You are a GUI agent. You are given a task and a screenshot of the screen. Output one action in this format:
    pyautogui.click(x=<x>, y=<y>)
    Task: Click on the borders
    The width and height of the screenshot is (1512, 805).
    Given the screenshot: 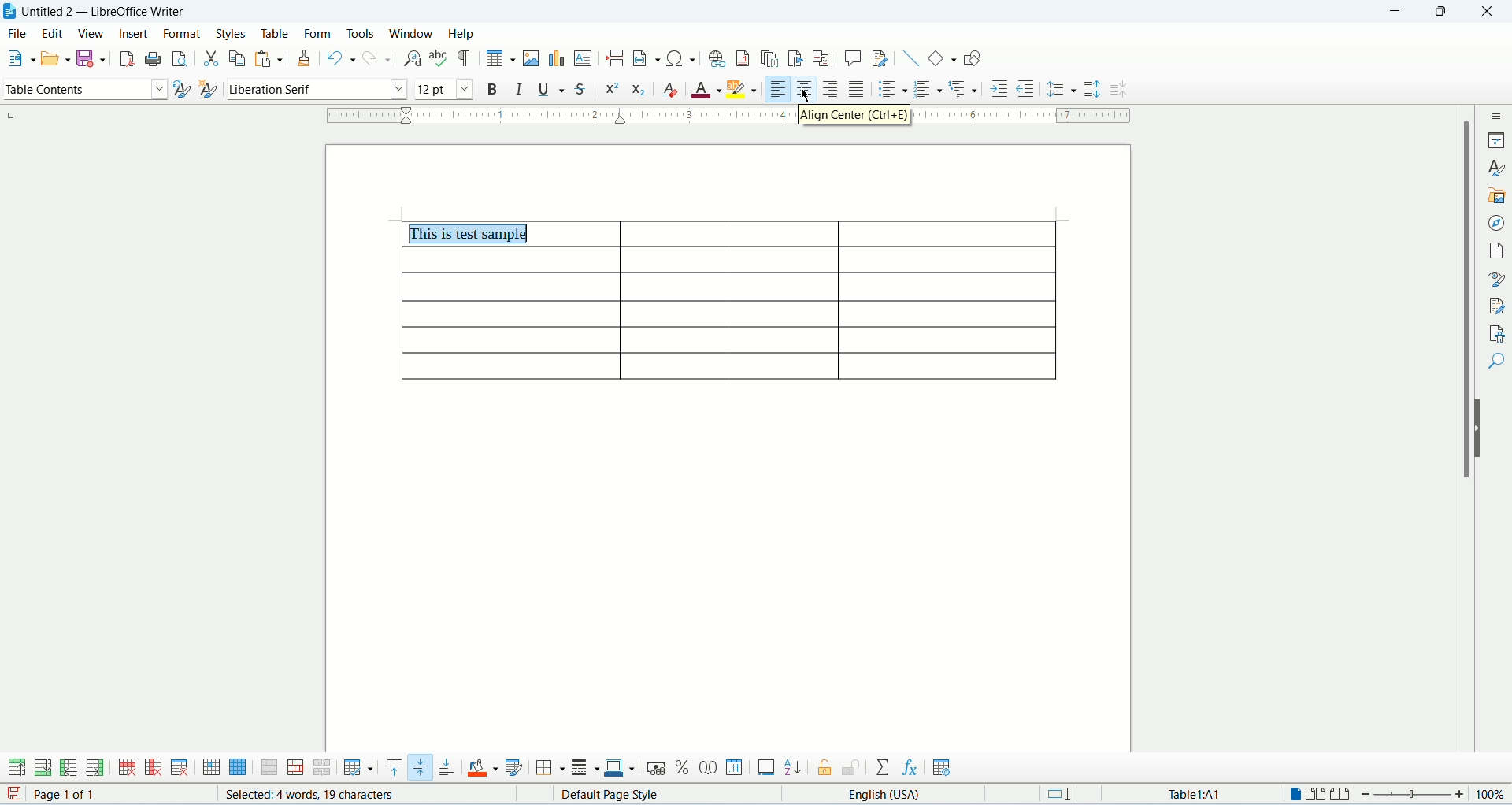 What is the action you would take?
    pyautogui.click(x=550, y=767)
    